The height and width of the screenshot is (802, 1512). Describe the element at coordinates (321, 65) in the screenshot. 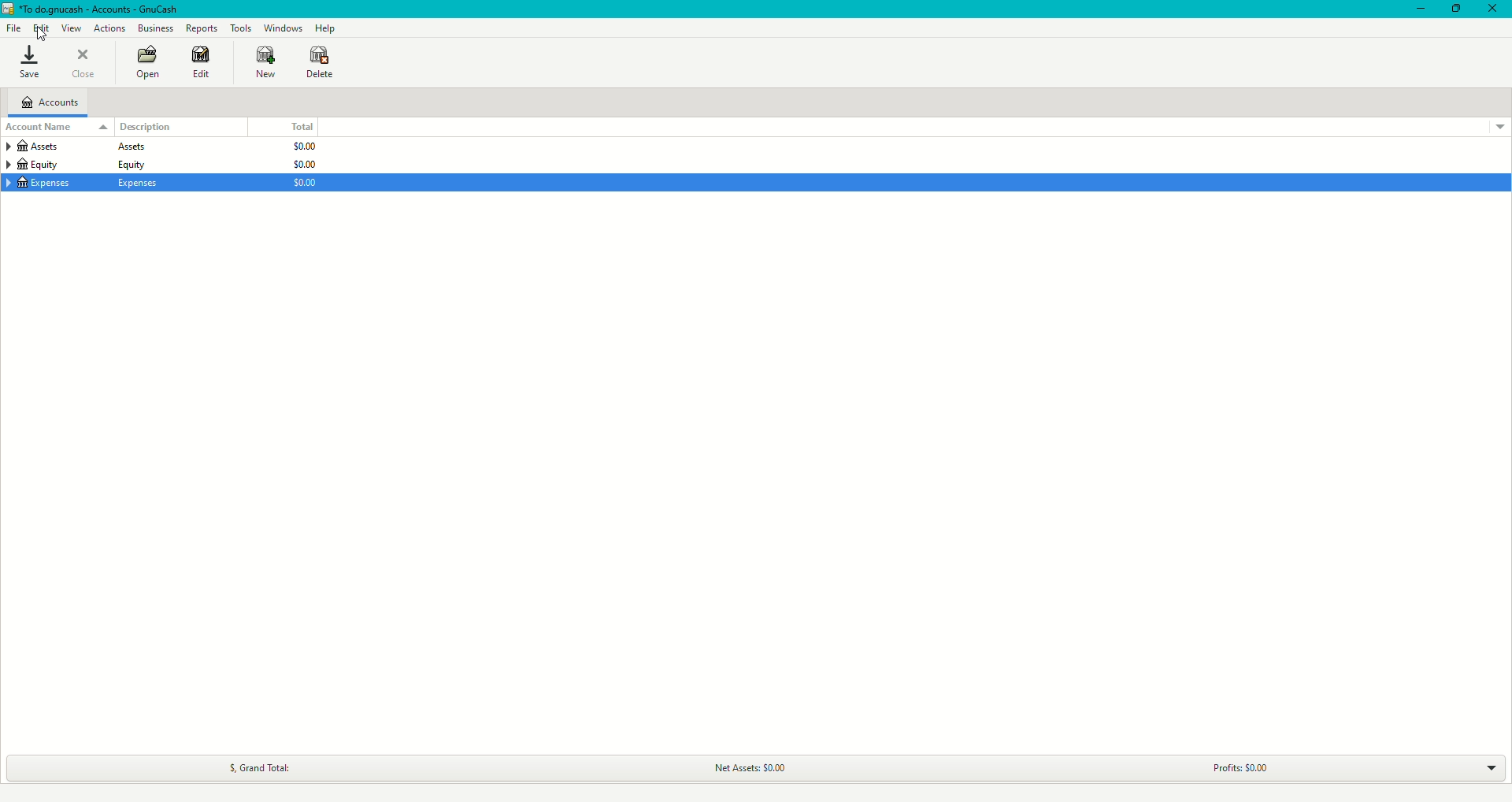

I see `Delete` at that location.